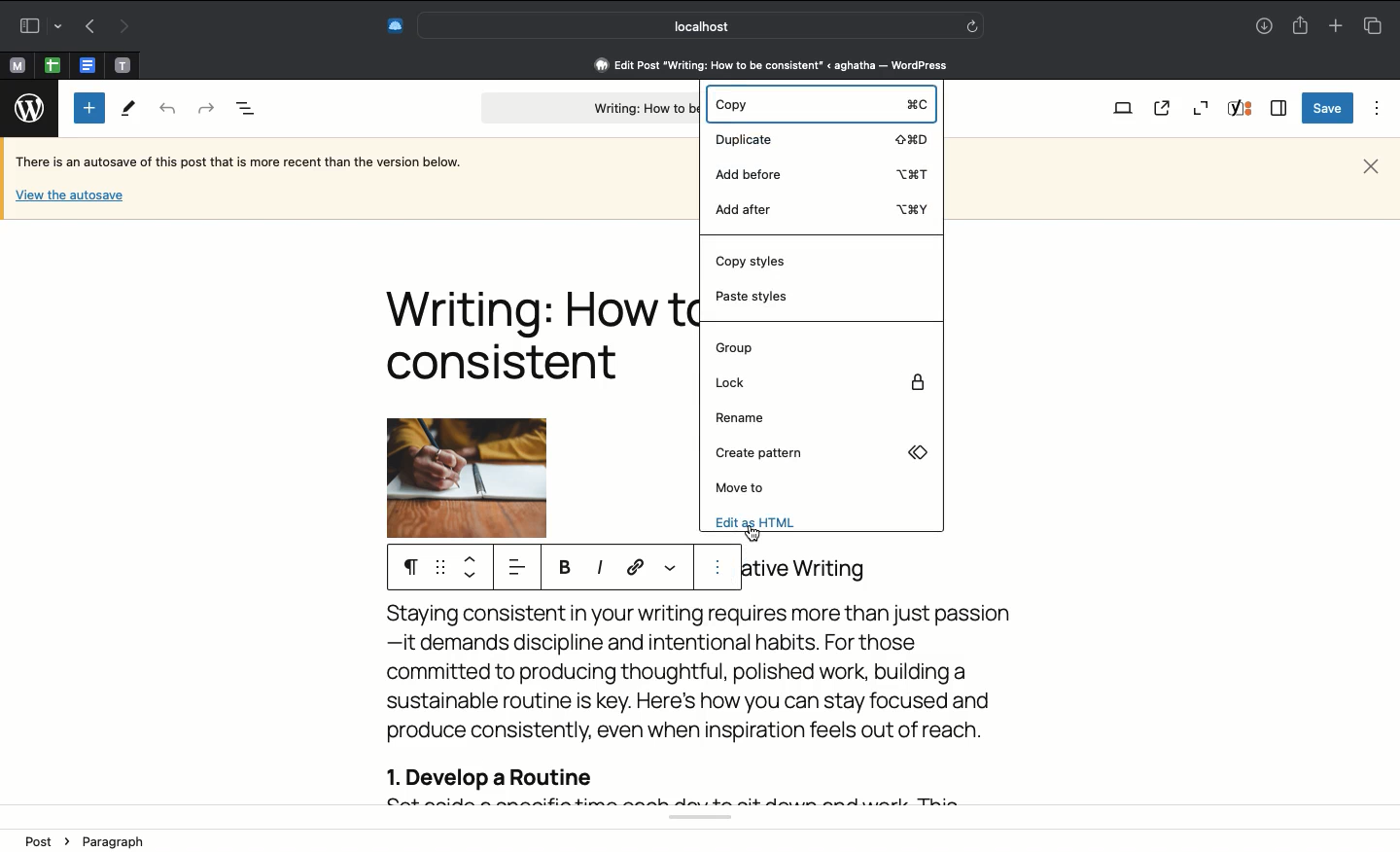 The image size is (1400, 852). Describe the element at coordinates (69, 194) in the screenshot. I see `View the autosave` at that location.